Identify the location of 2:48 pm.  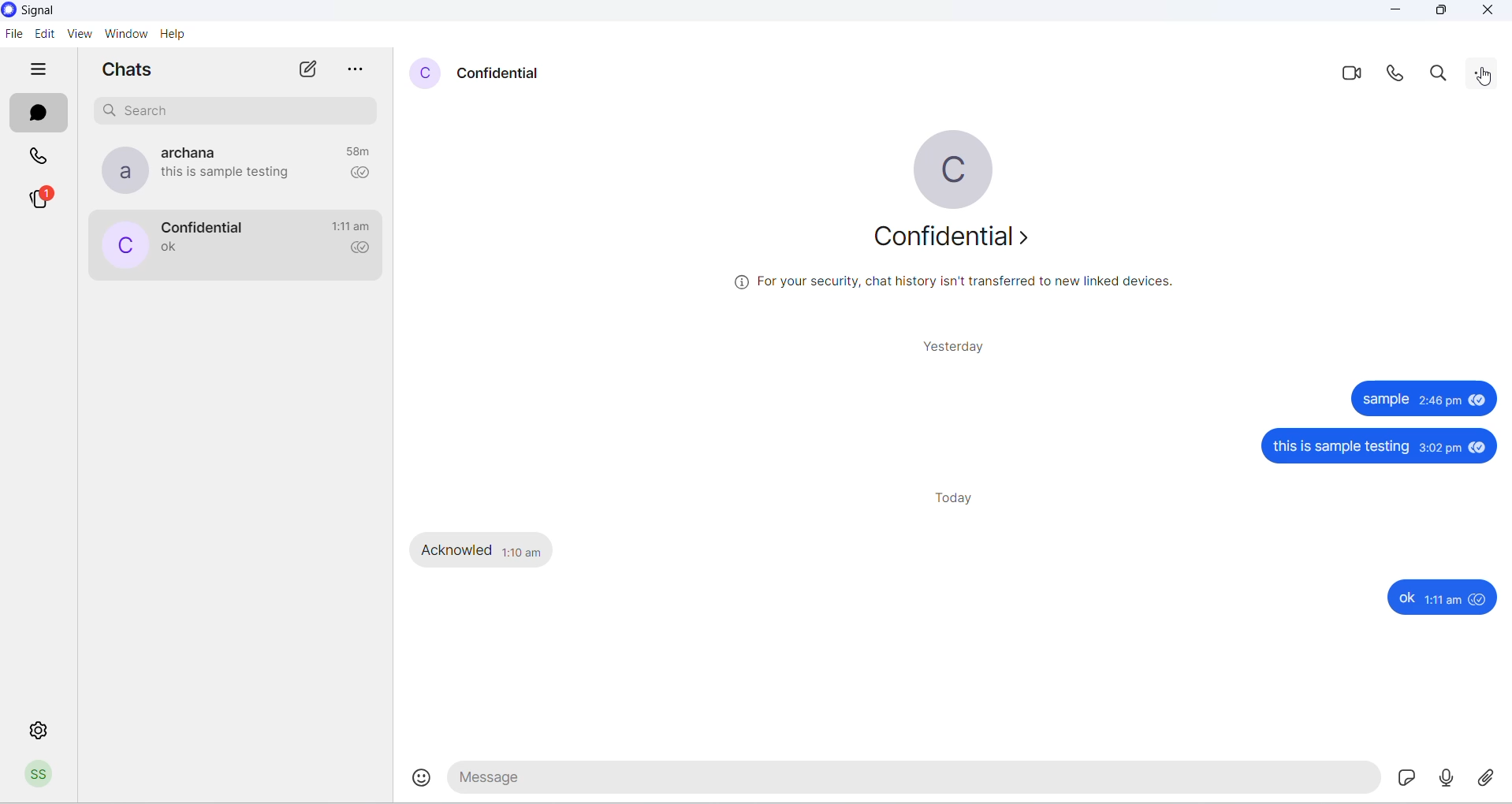
(1440, 401).